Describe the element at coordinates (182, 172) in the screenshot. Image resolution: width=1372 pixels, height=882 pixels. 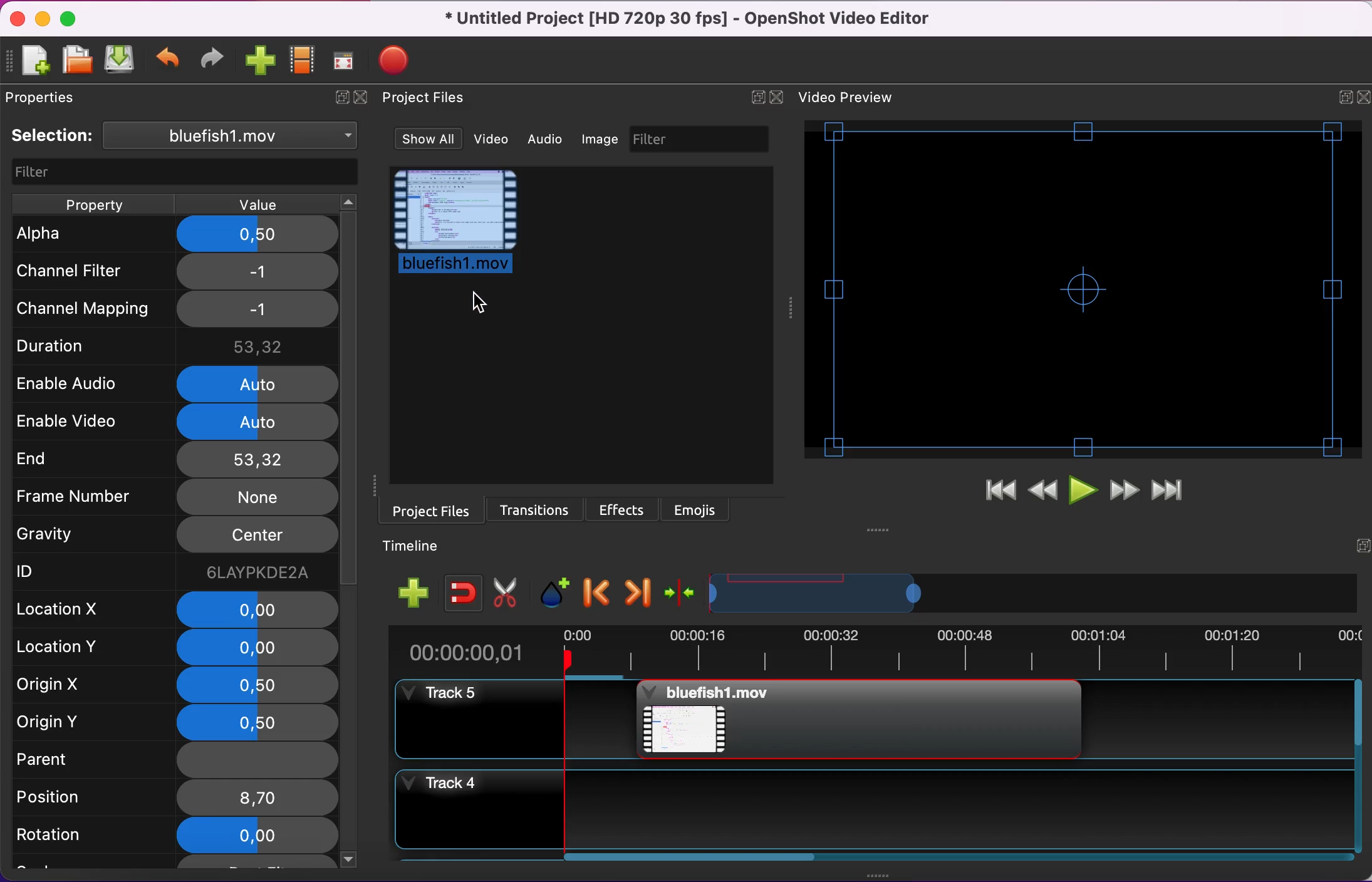
I see `filter` at that location.